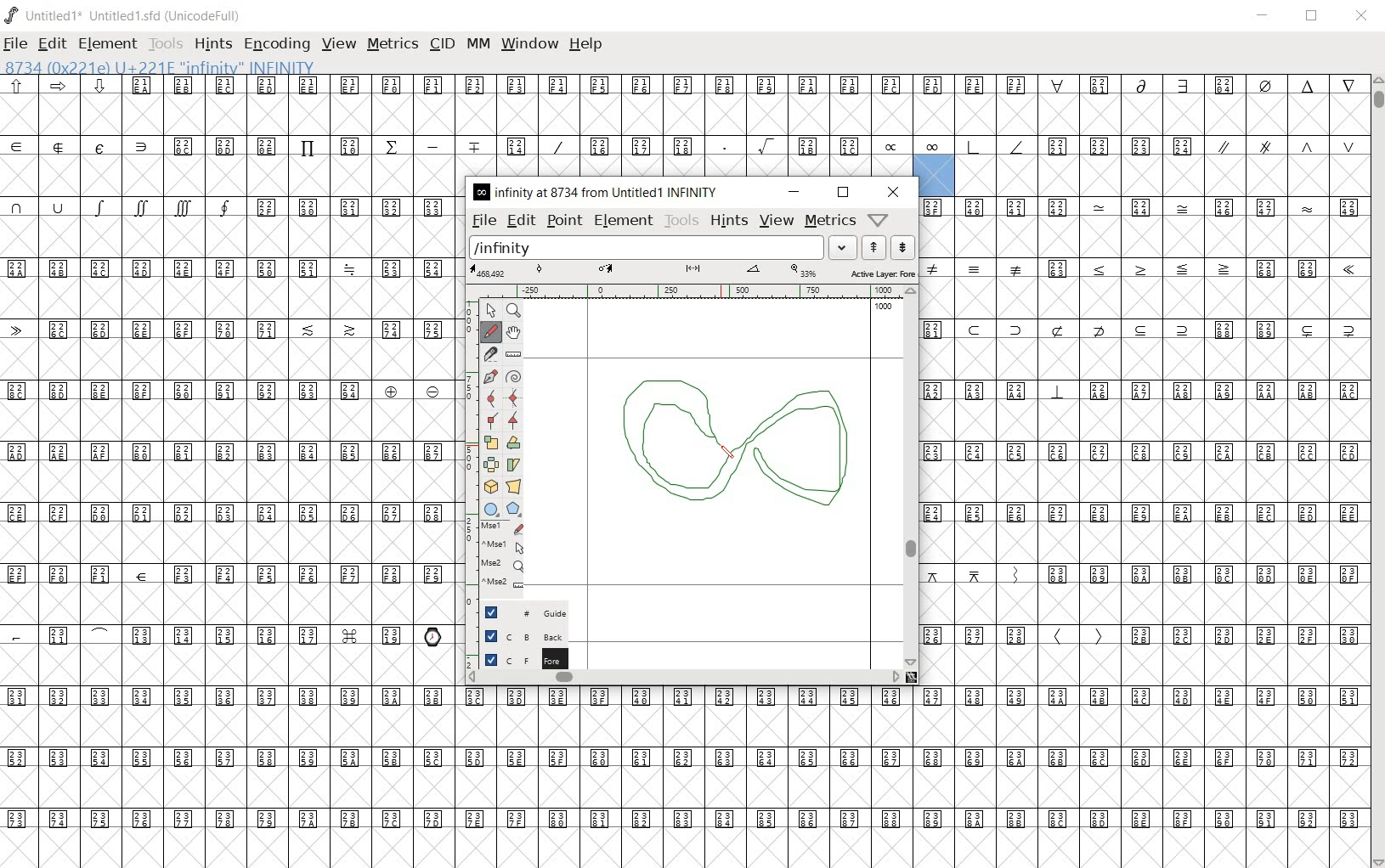  Describe the element at coordinates (490, 441) in the screenshot. I see `scale the selection` at that location.